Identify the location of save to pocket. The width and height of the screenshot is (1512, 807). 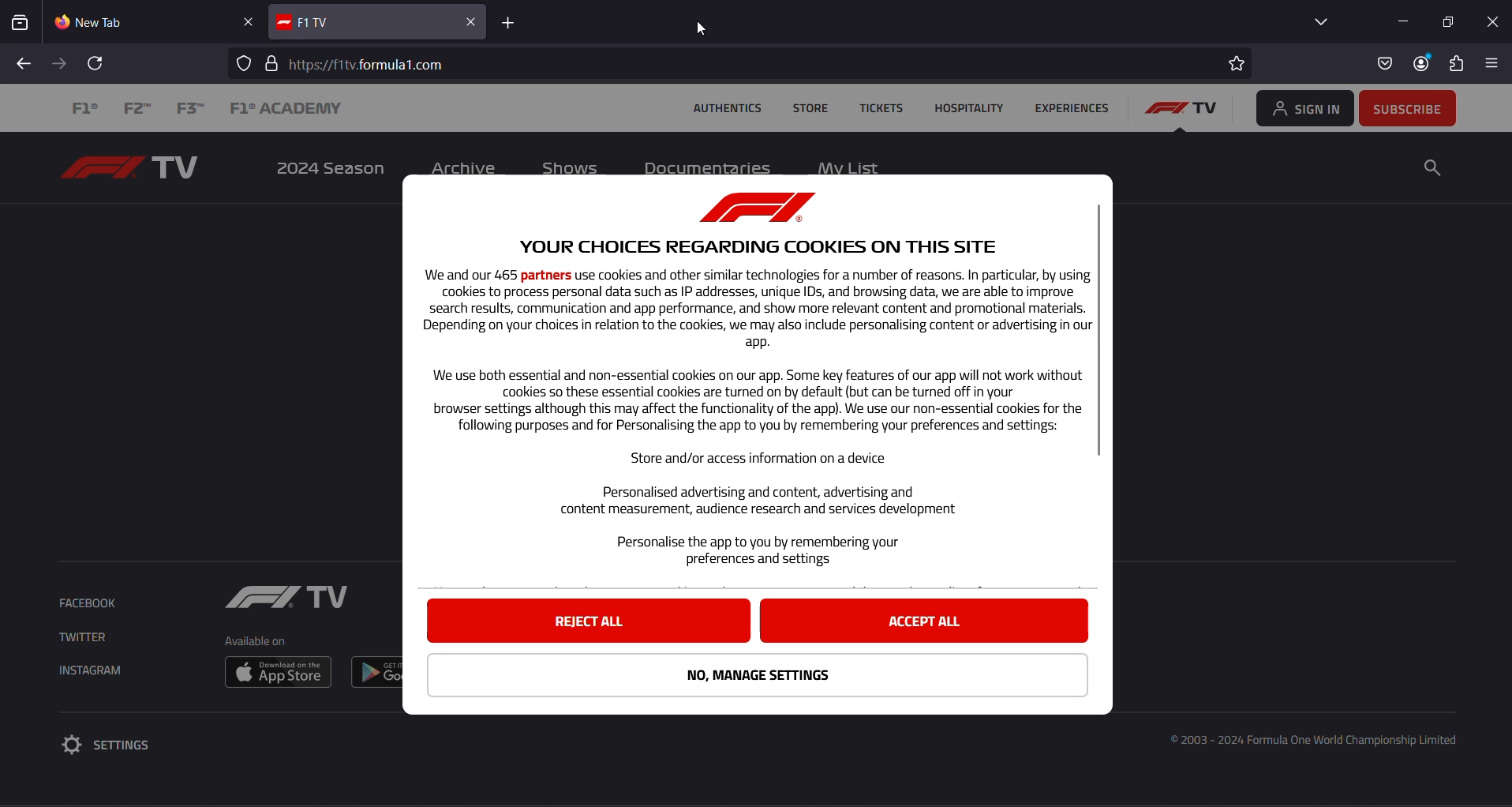
(1383, 65).